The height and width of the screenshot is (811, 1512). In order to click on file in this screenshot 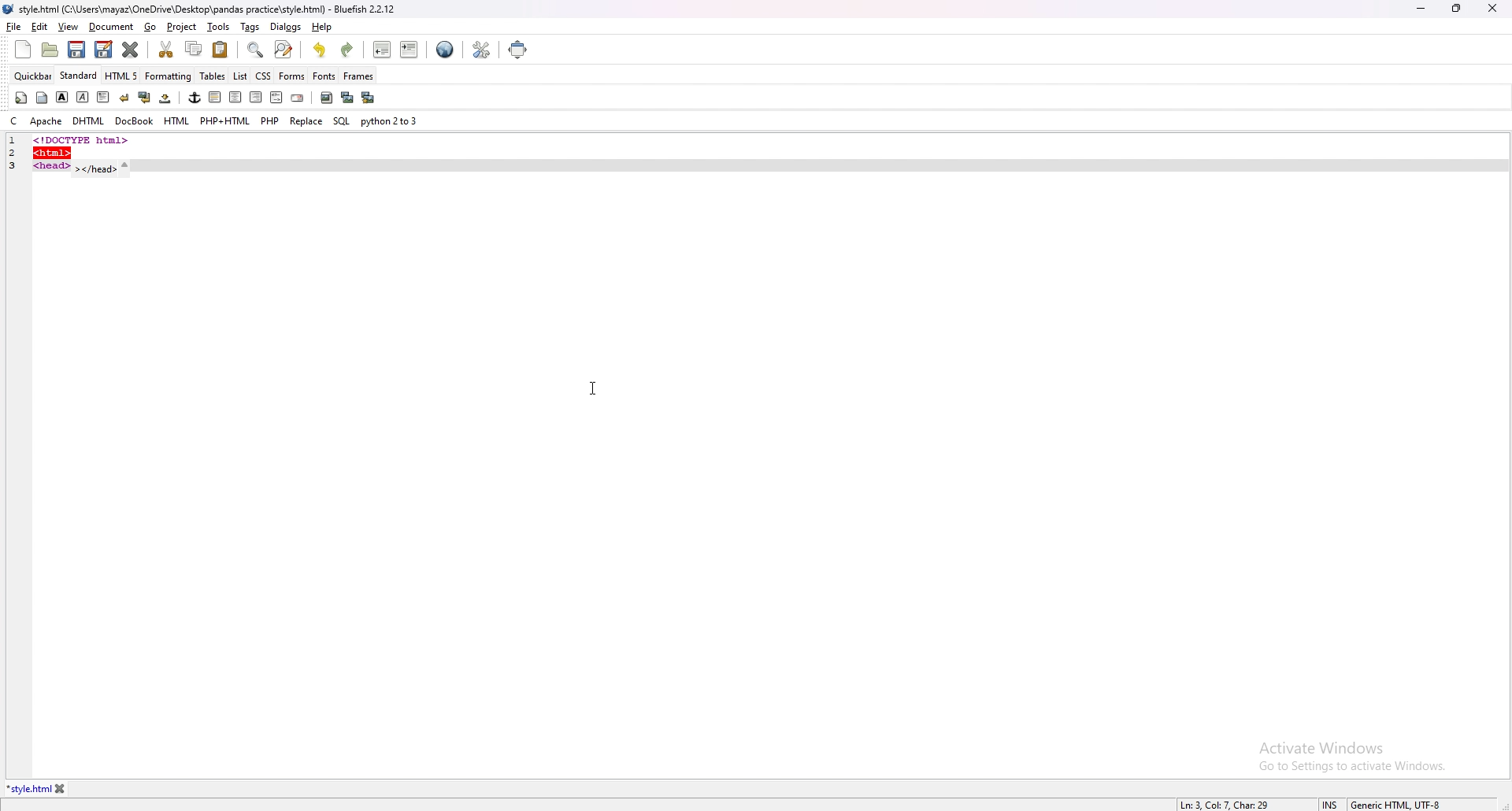, I will do `click(14, 26)`.